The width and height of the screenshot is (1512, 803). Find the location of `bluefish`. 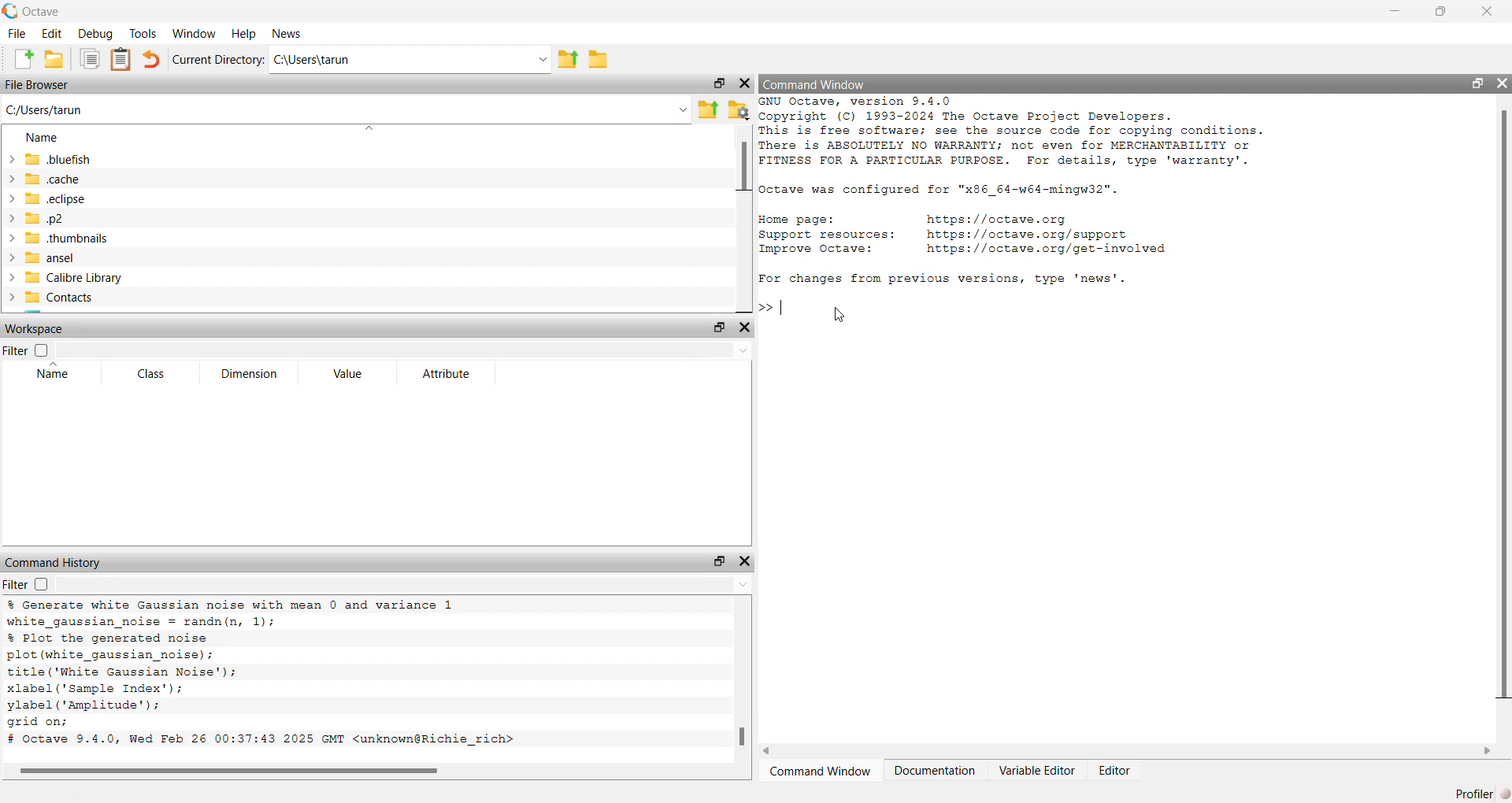

bluefish is located at coordinates (50, 158).